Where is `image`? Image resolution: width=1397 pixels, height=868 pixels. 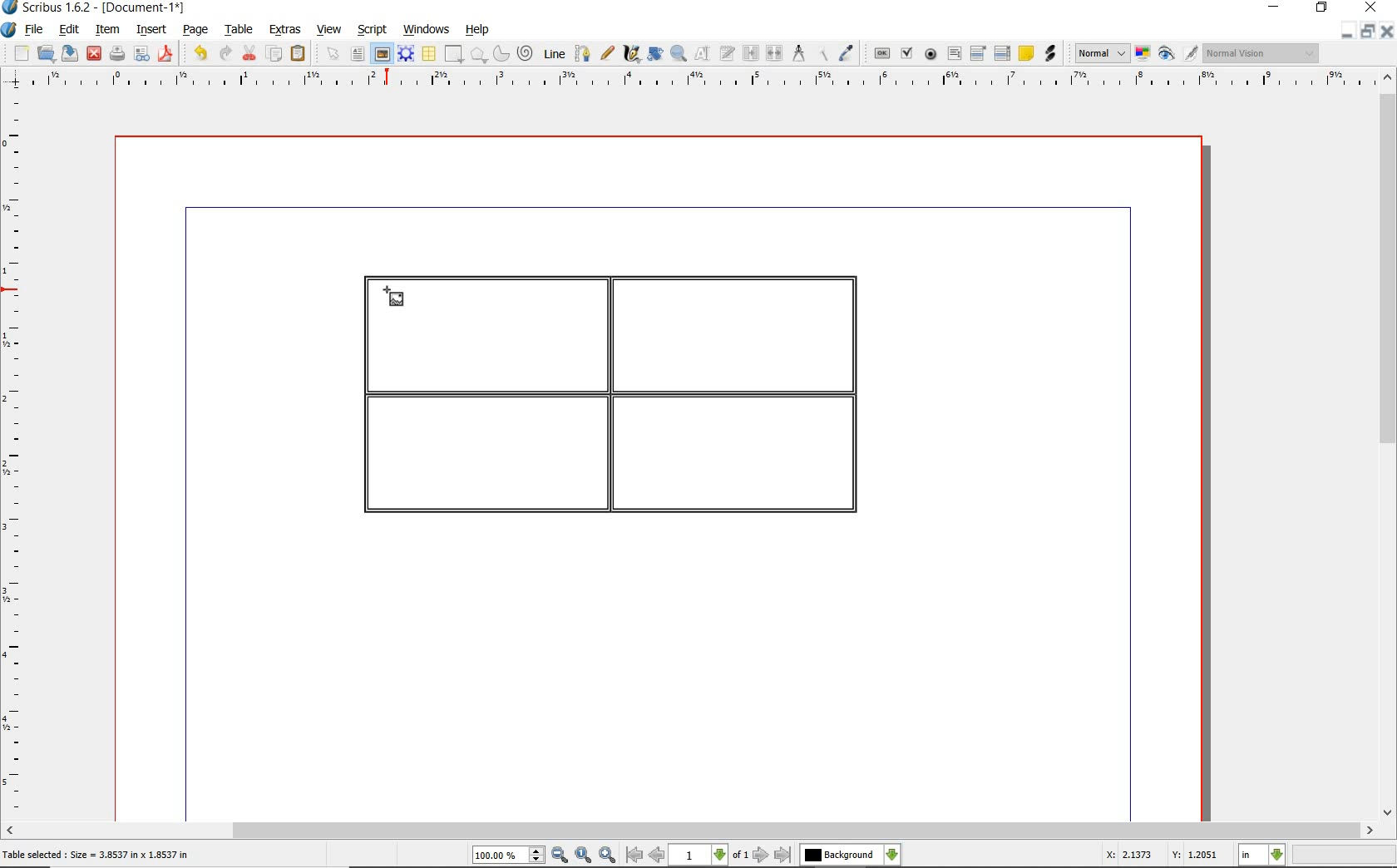
image is located at coordinates (395, 298).